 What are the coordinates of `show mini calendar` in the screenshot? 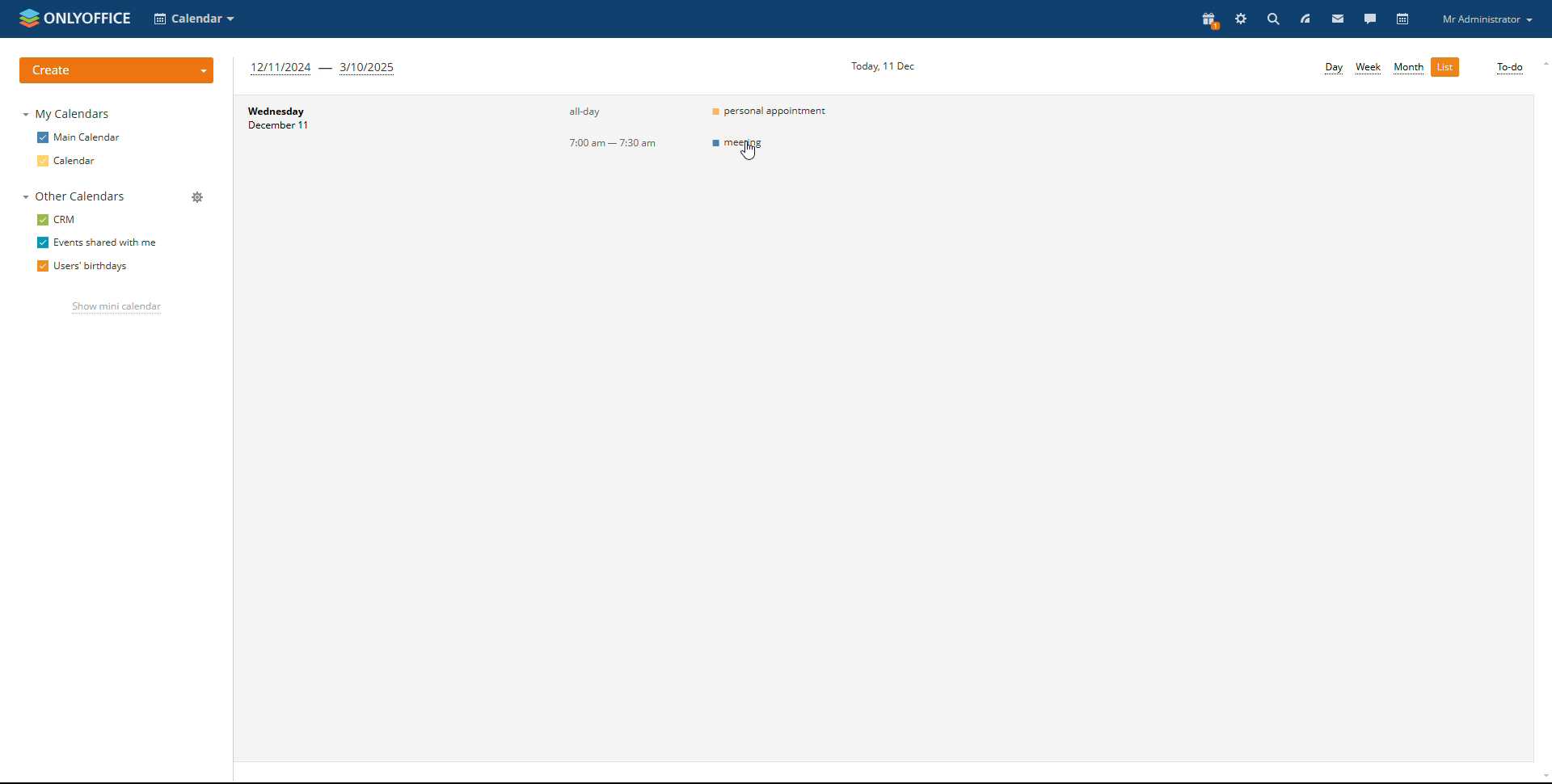 It's located at (116, 309).